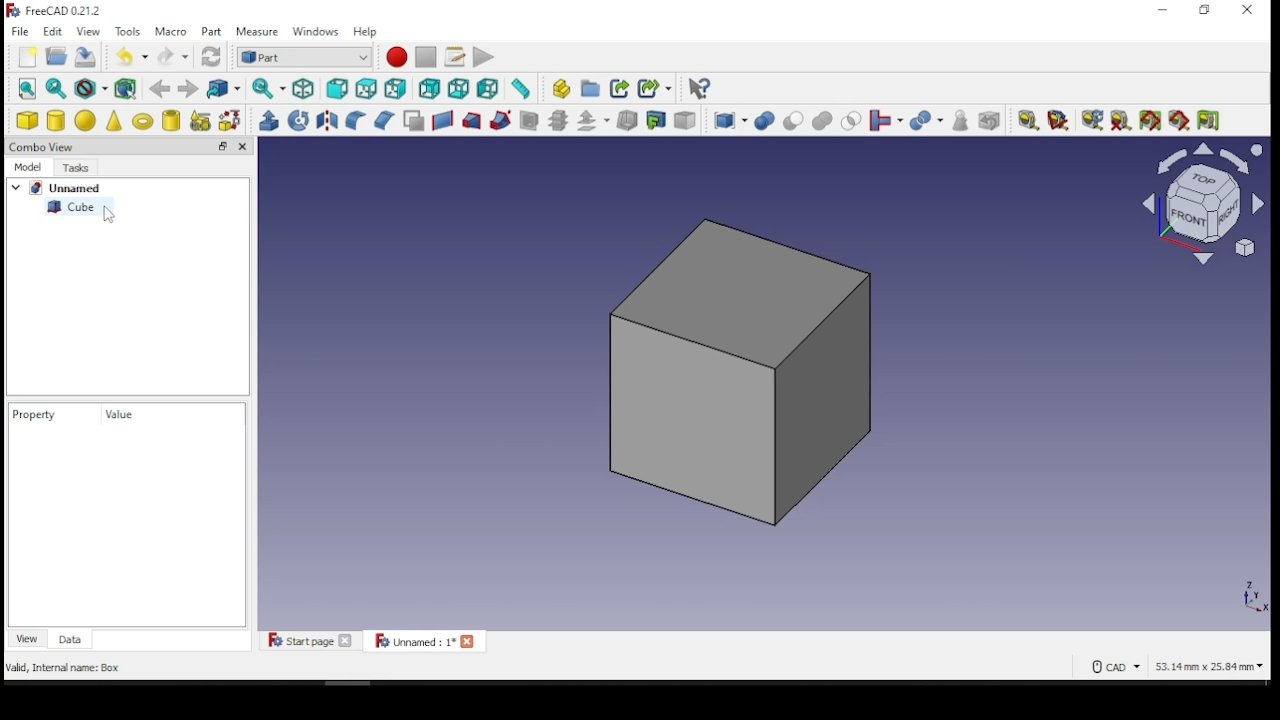 This screenshot has height=720, width=1280. Describe the element at coordinates (1120, 119) in the screenshot. I see `clear all` at that location.